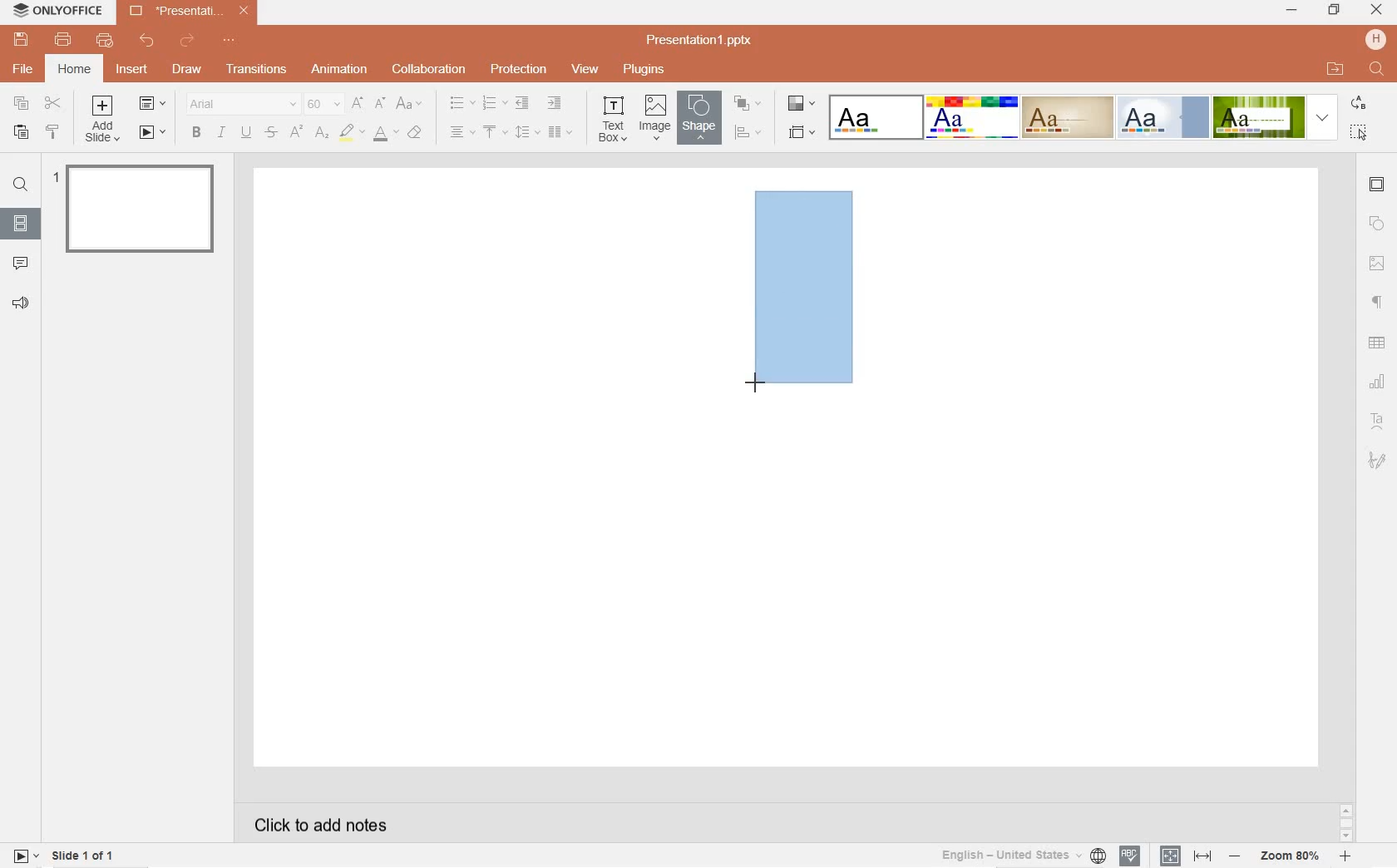  I want to click on image settings, so click(1377, 264).